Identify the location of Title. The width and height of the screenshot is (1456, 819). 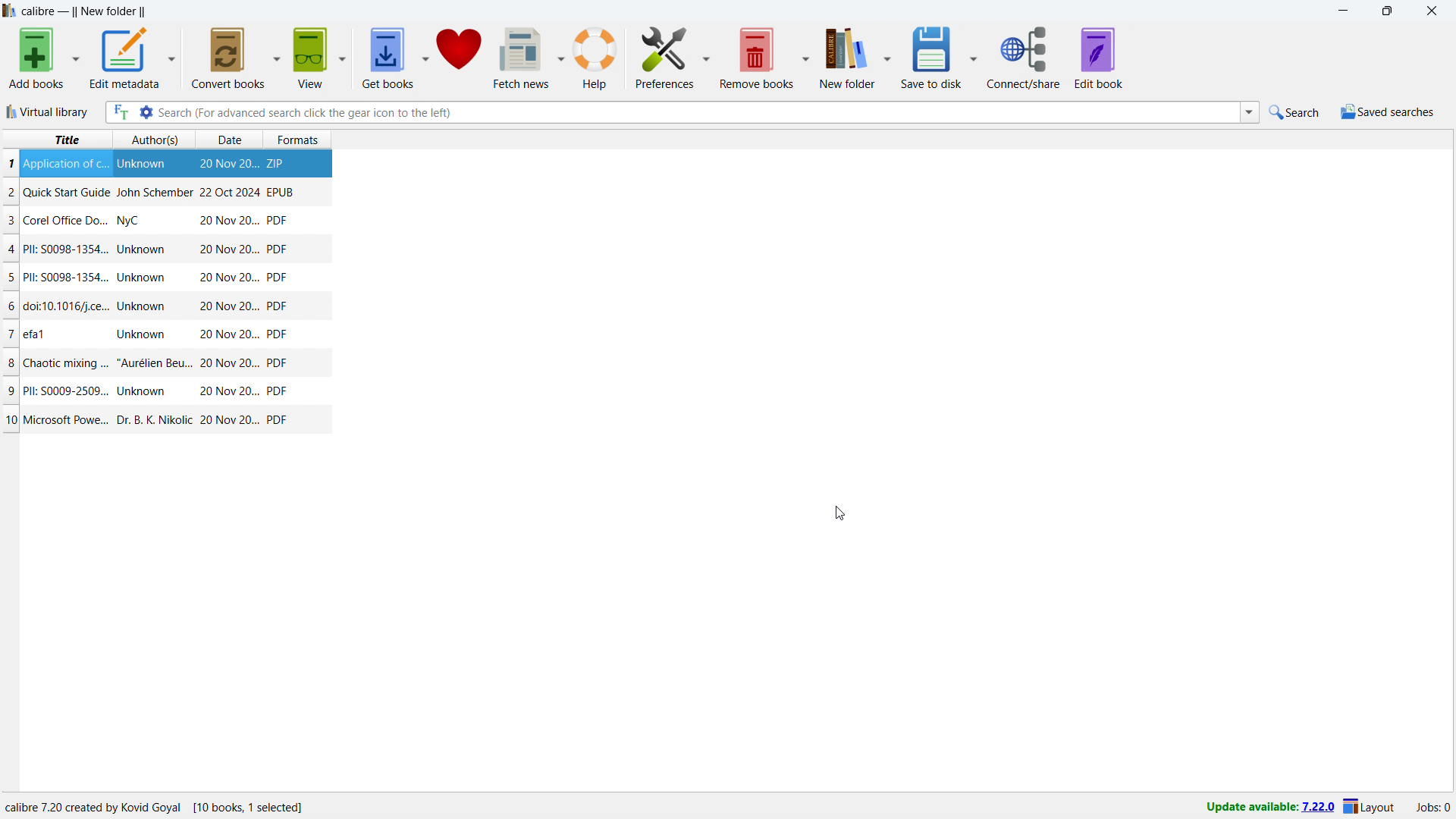
(64, 390).